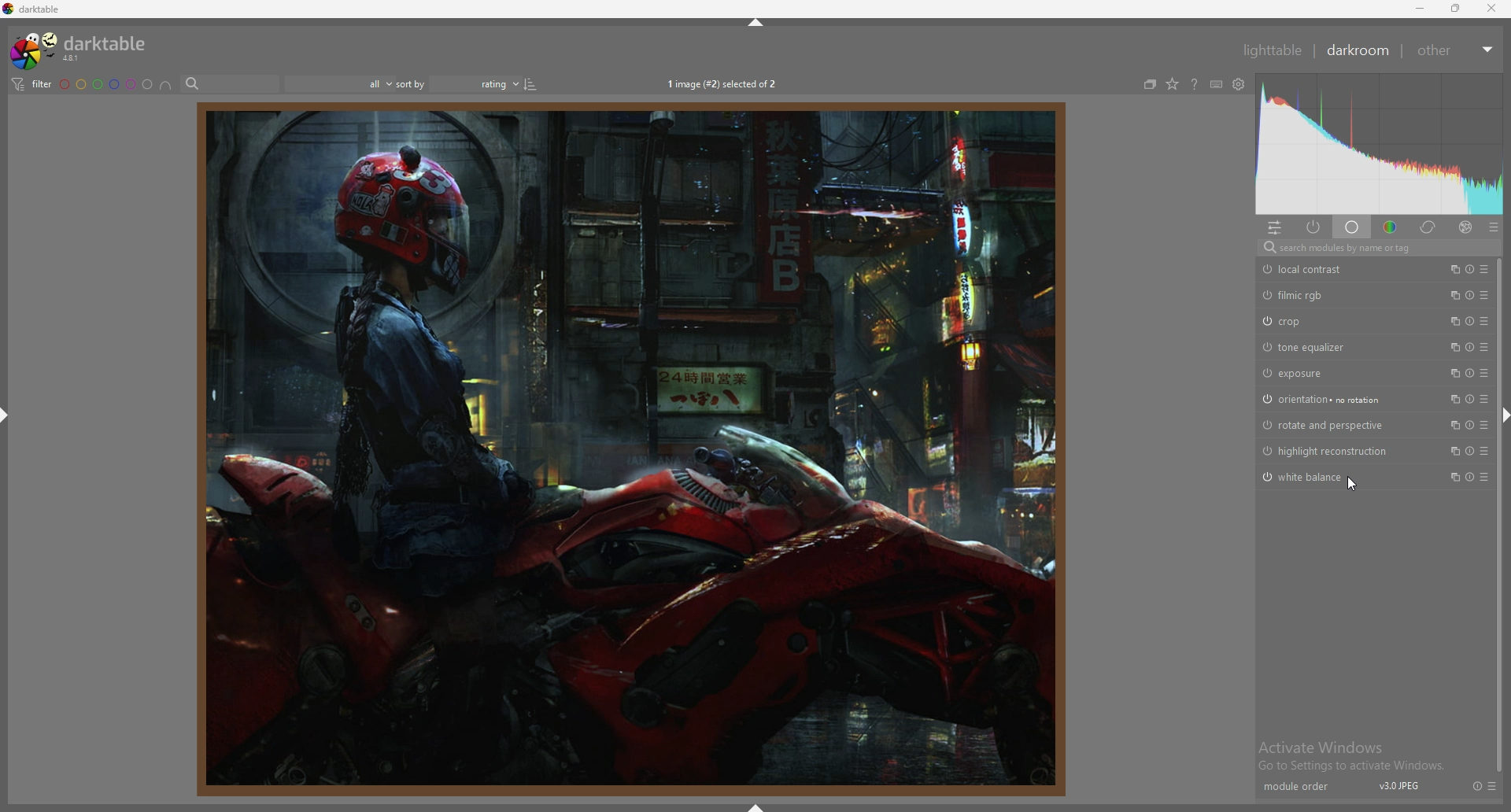 This screenshot has width=1511, height=812. I want to click on keyboard shortcuts, so click(1216, 85).